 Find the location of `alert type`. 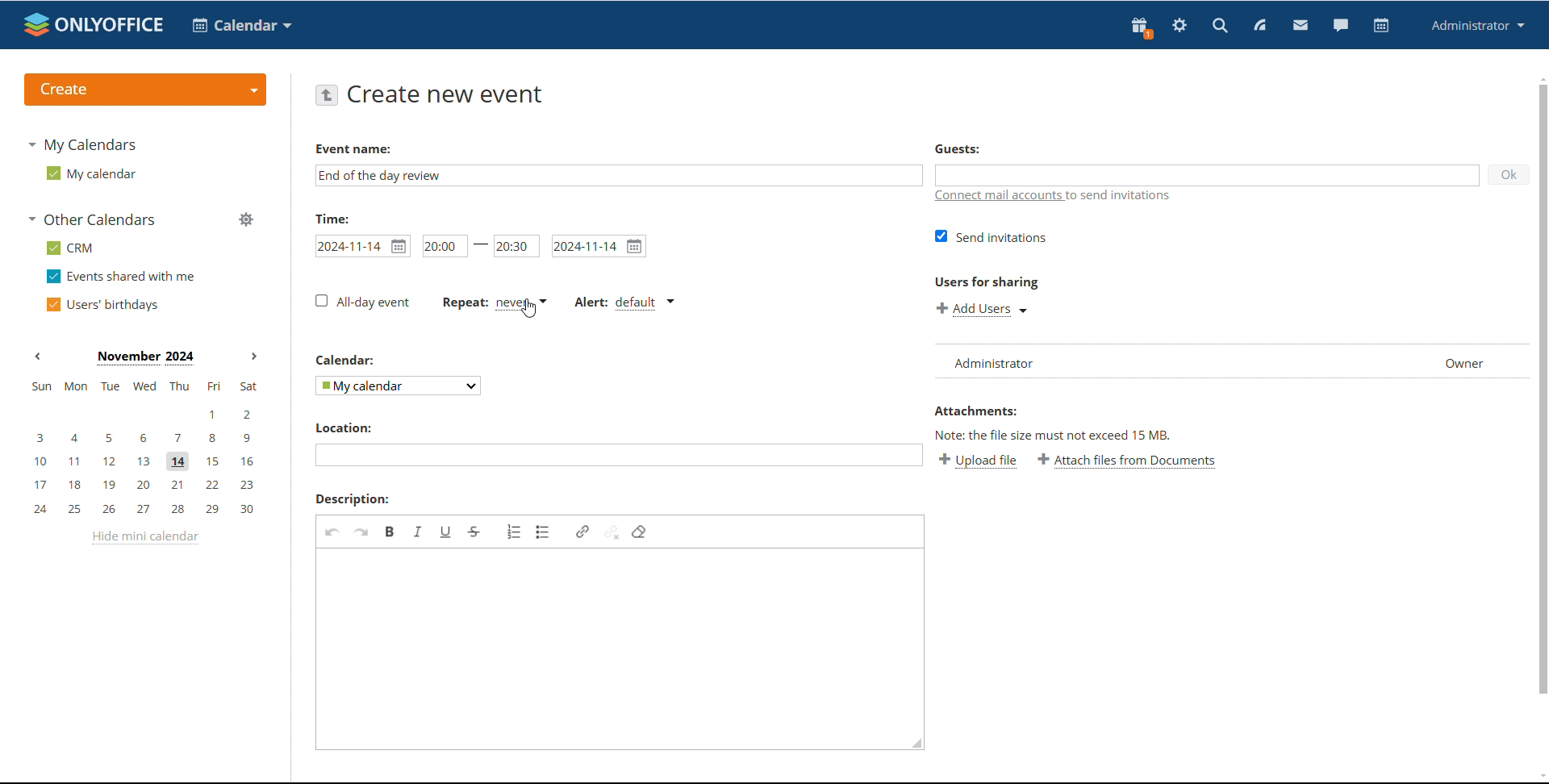

alert type is located at coordinates (624, 303).